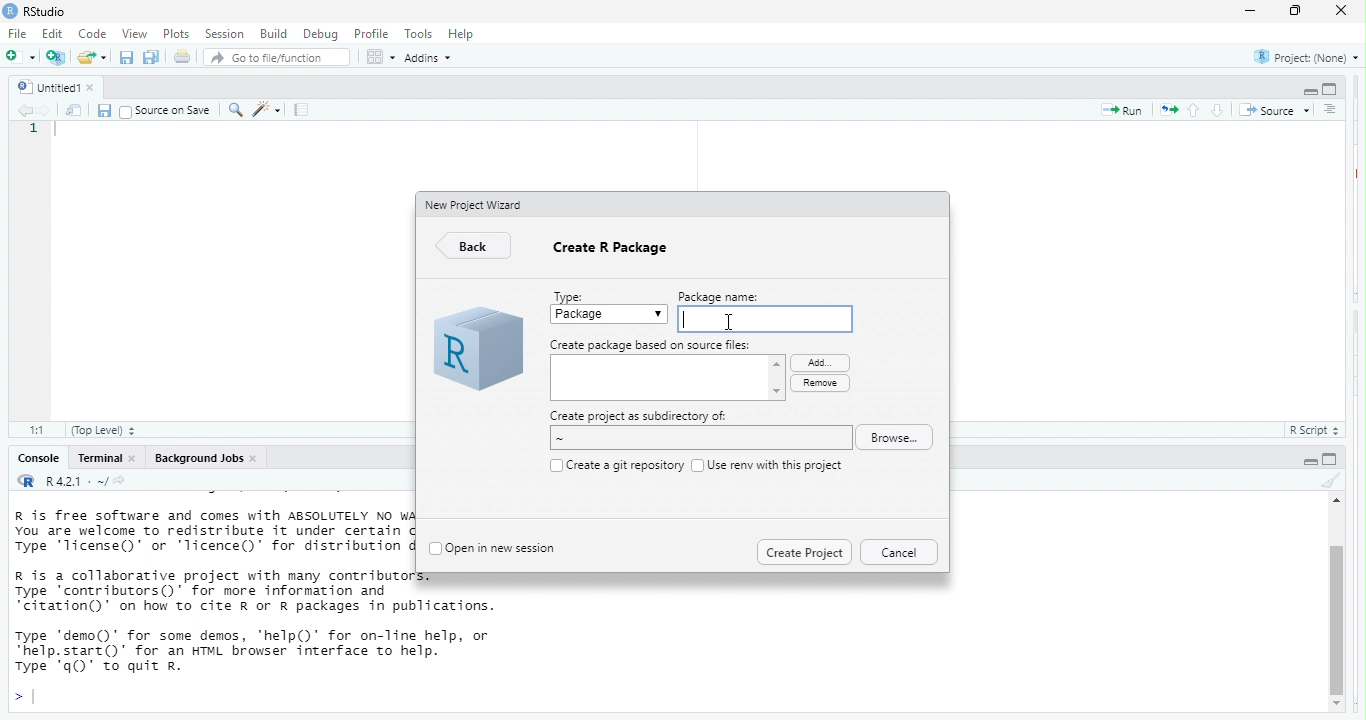 This screenshot has height=720, width=1366. I want to click on go to next section/chunk, so click(1216, 111).